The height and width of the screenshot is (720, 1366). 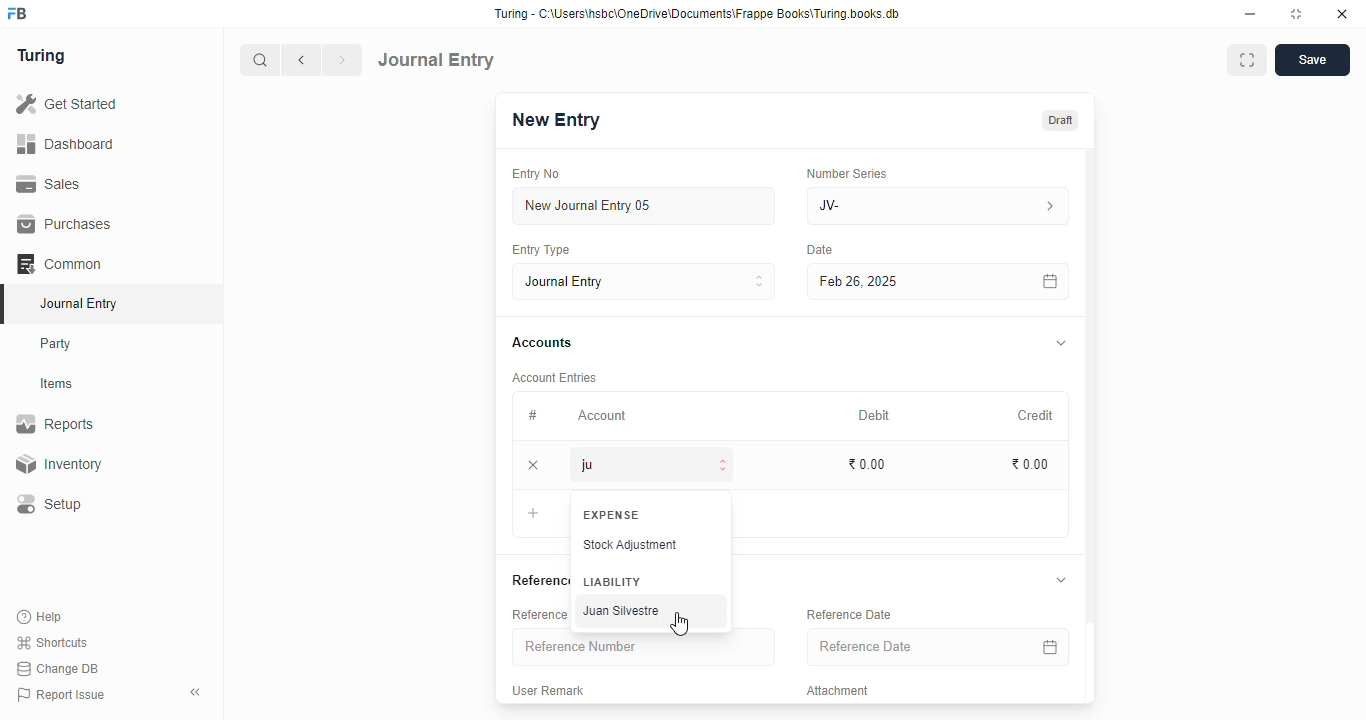 What do you see at coordinates (654, 465) in the screenshot?
I see `ju` at bounding box center [654, 465].